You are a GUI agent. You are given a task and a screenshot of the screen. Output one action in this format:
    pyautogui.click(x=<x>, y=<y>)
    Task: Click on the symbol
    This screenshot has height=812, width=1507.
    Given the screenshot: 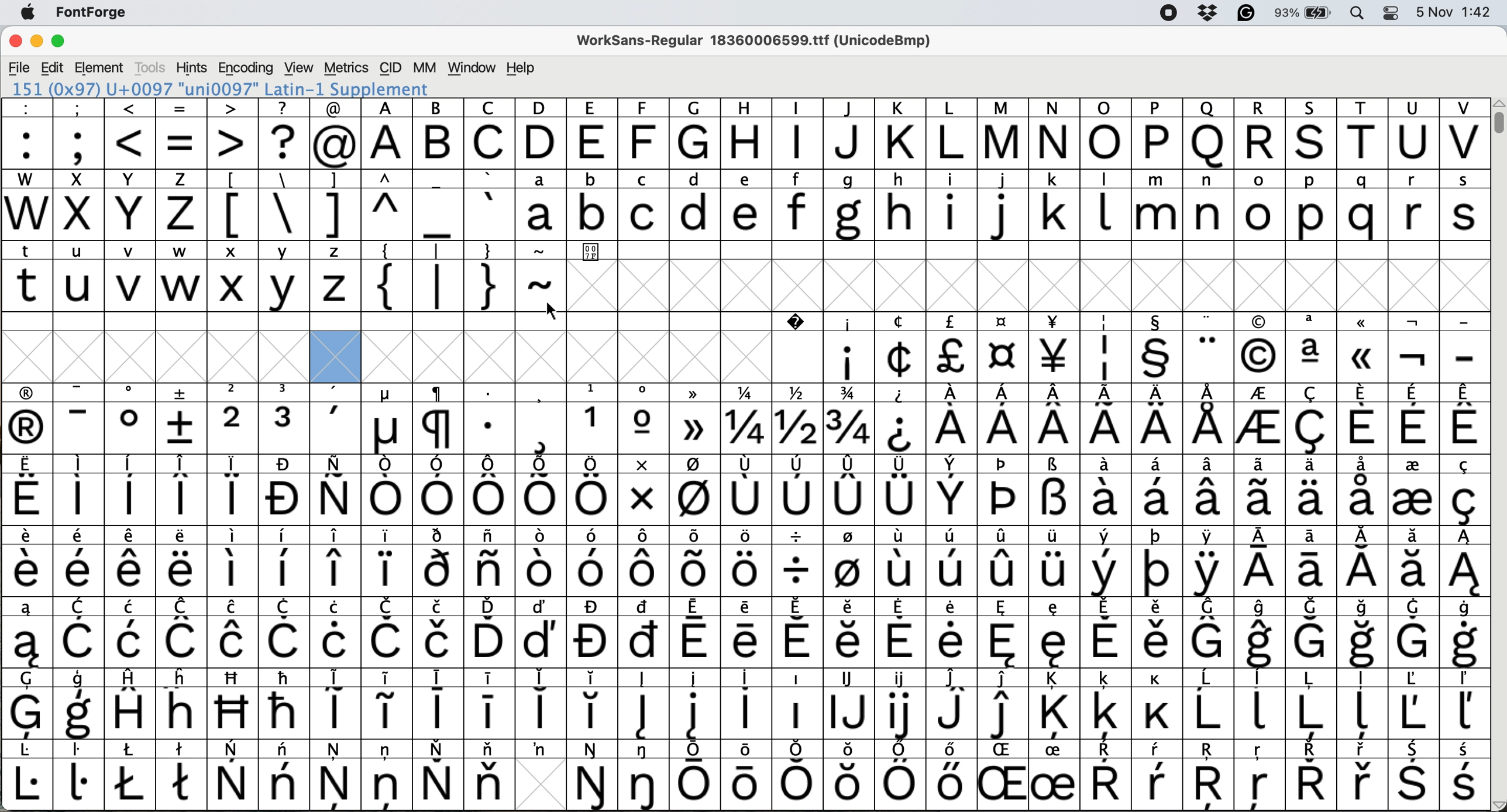 What is the action you would take?
    pyautogui.click(x=386, y=490)
    